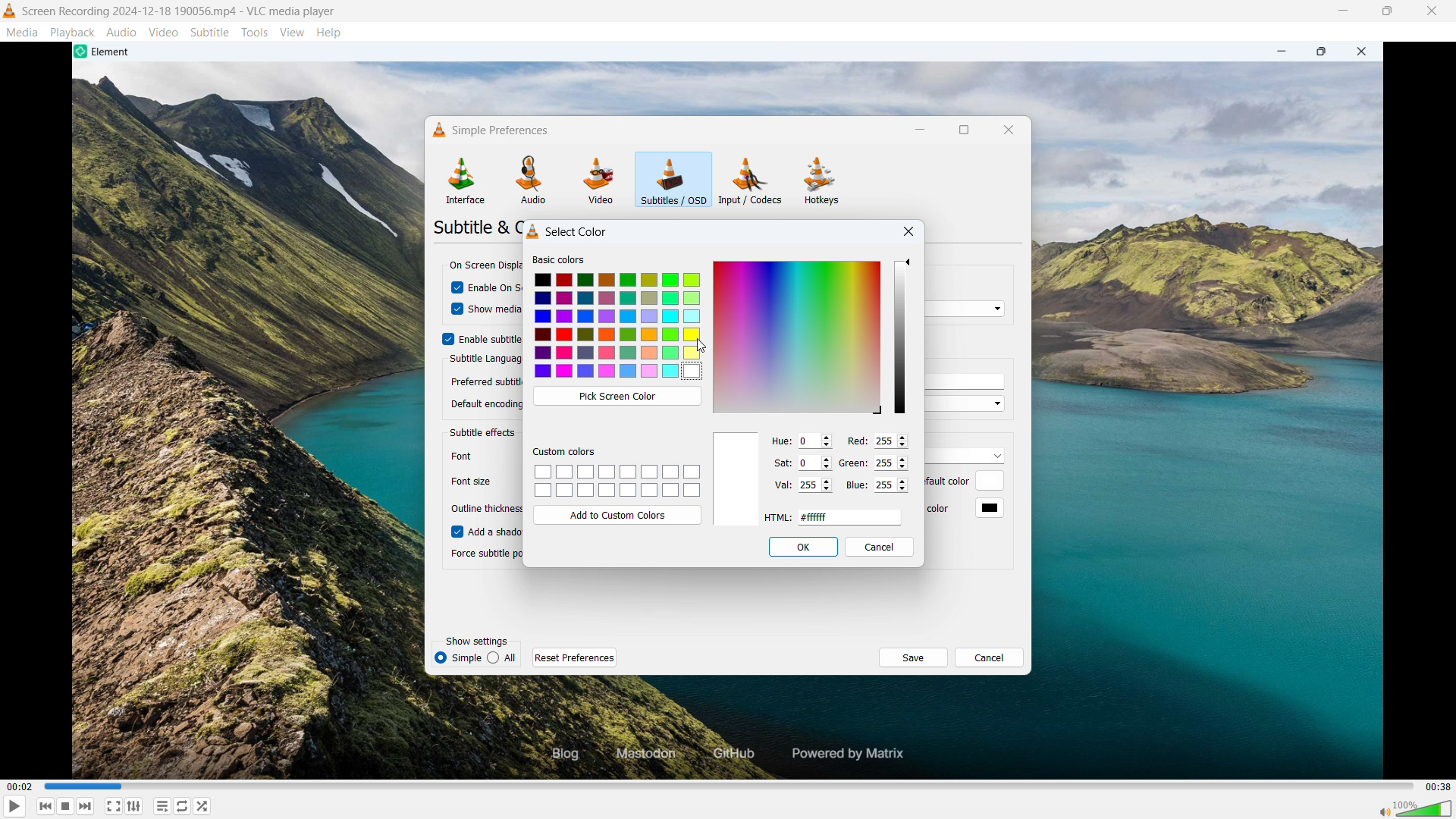 This screenshot has height=819, width=1456. Describe the element at coordinates (732, 786) in the screenshot. I see `Time bar ` at that location.